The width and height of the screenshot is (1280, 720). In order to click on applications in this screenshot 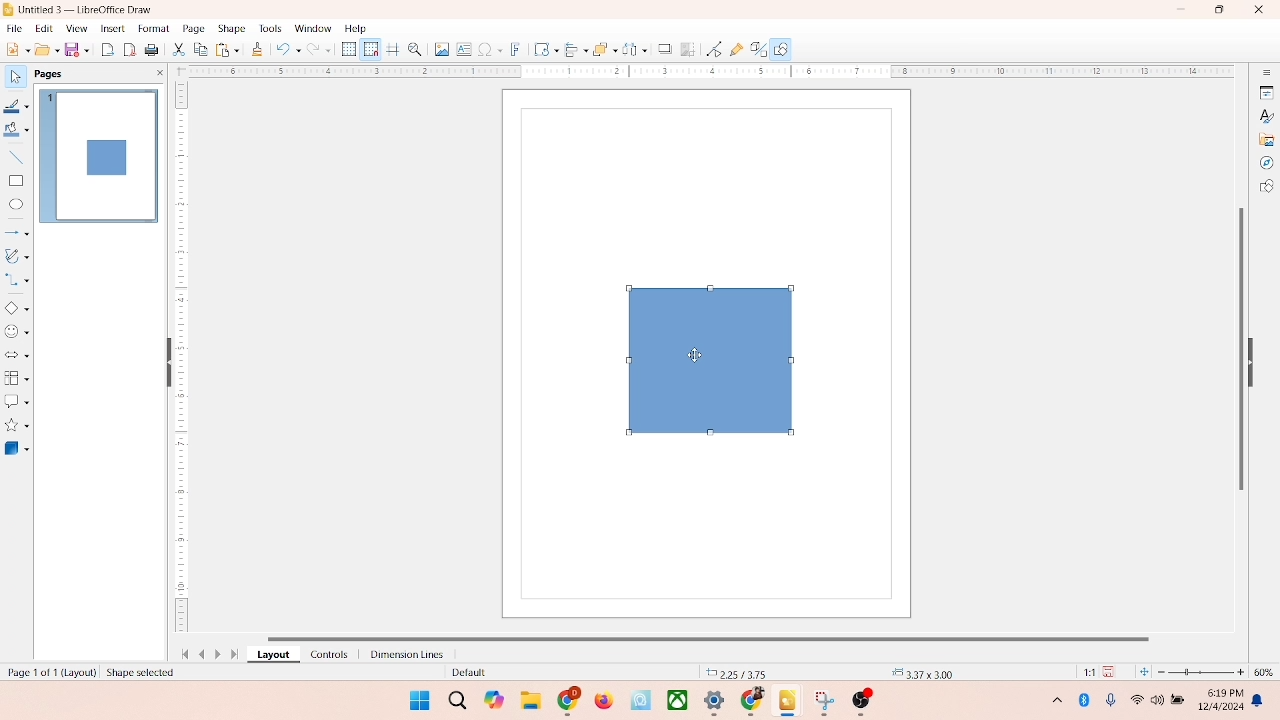, I will do `click(721, 702)`.